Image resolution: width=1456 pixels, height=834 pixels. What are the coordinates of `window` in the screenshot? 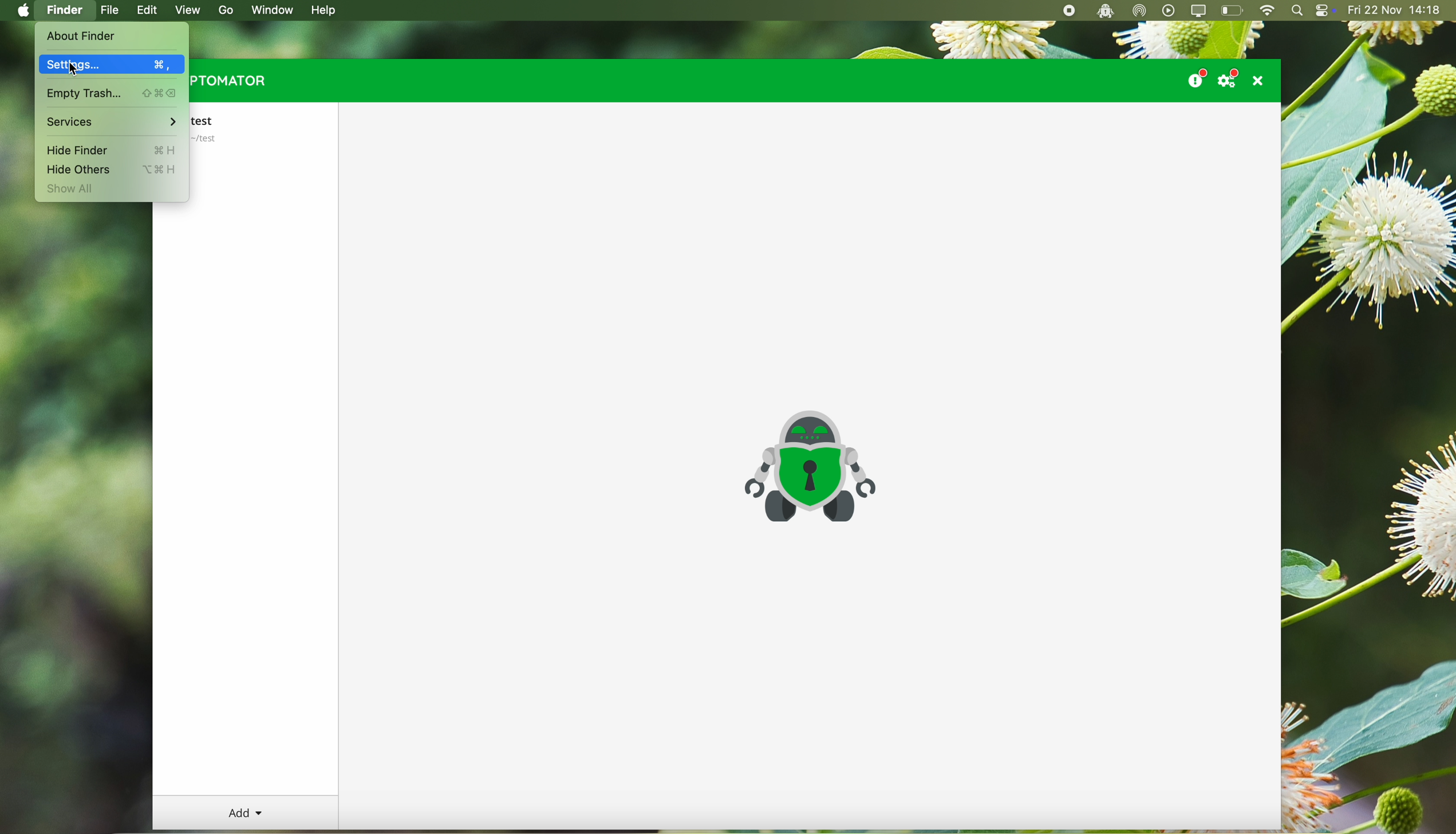 It's located at (277, 9).